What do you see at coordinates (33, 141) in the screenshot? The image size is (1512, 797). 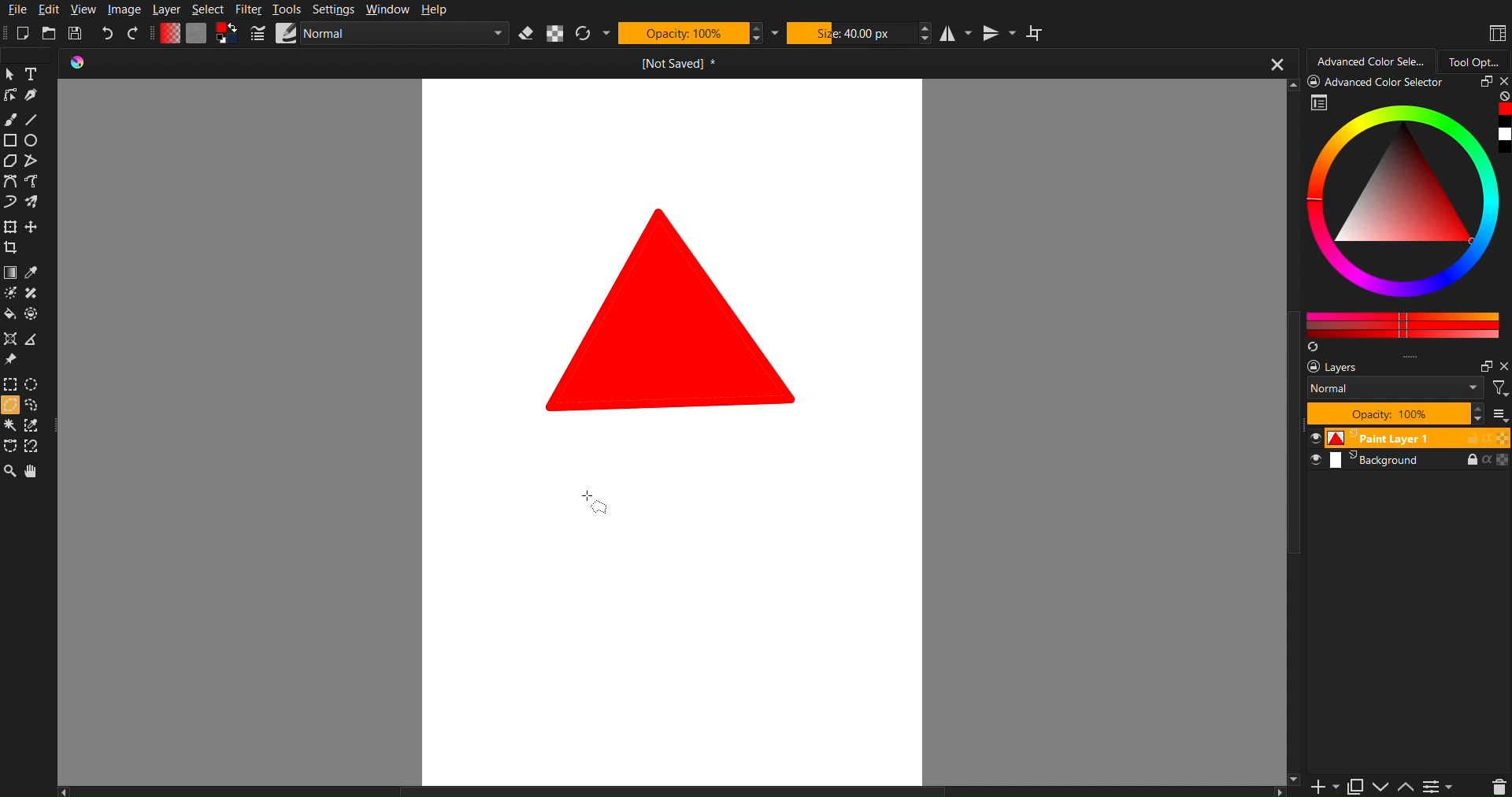 I see `Circle` at bounding box center [33, 141].